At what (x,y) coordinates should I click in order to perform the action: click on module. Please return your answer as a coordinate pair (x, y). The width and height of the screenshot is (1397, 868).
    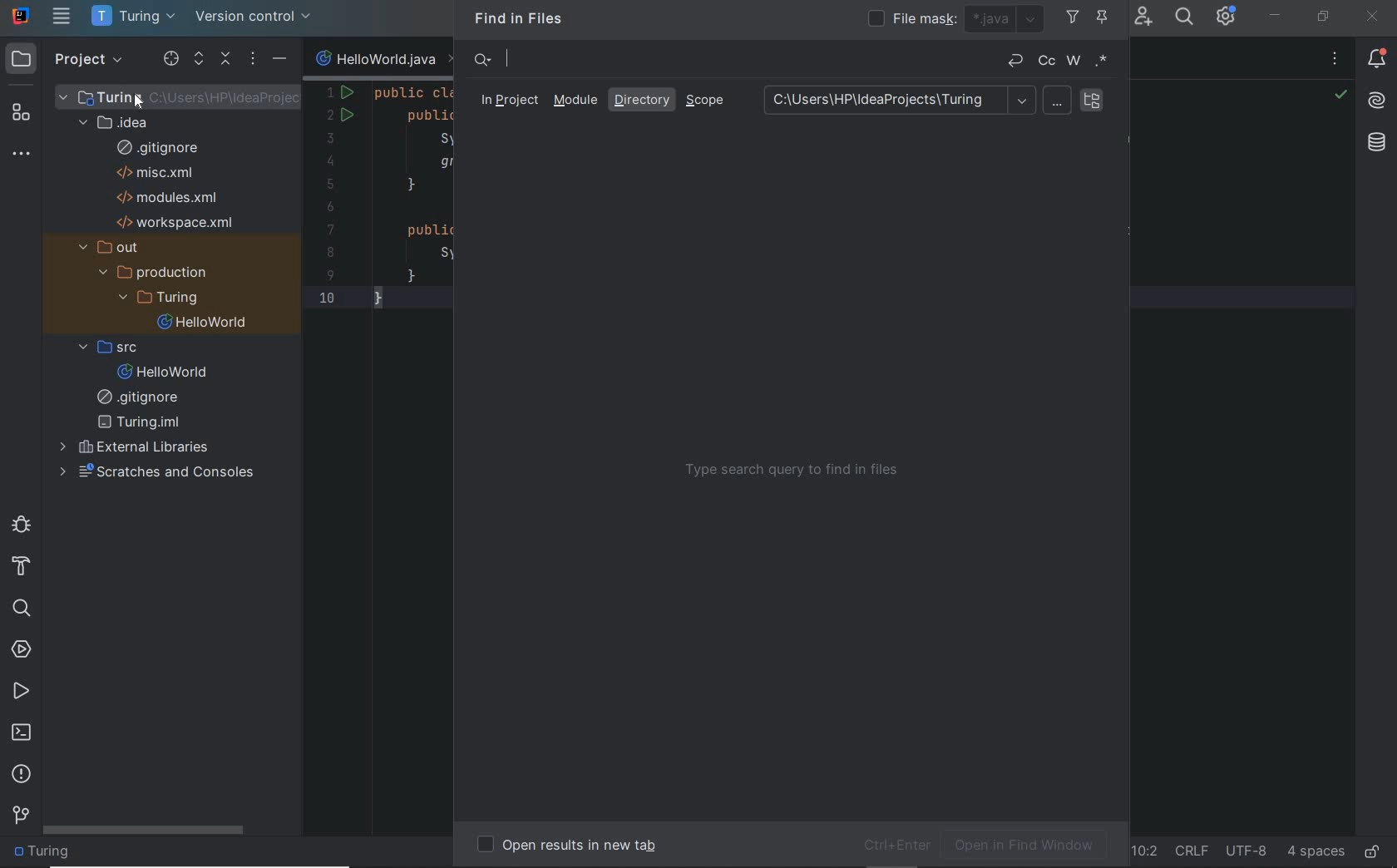
    Looking at the image, I should click on (575, 101).